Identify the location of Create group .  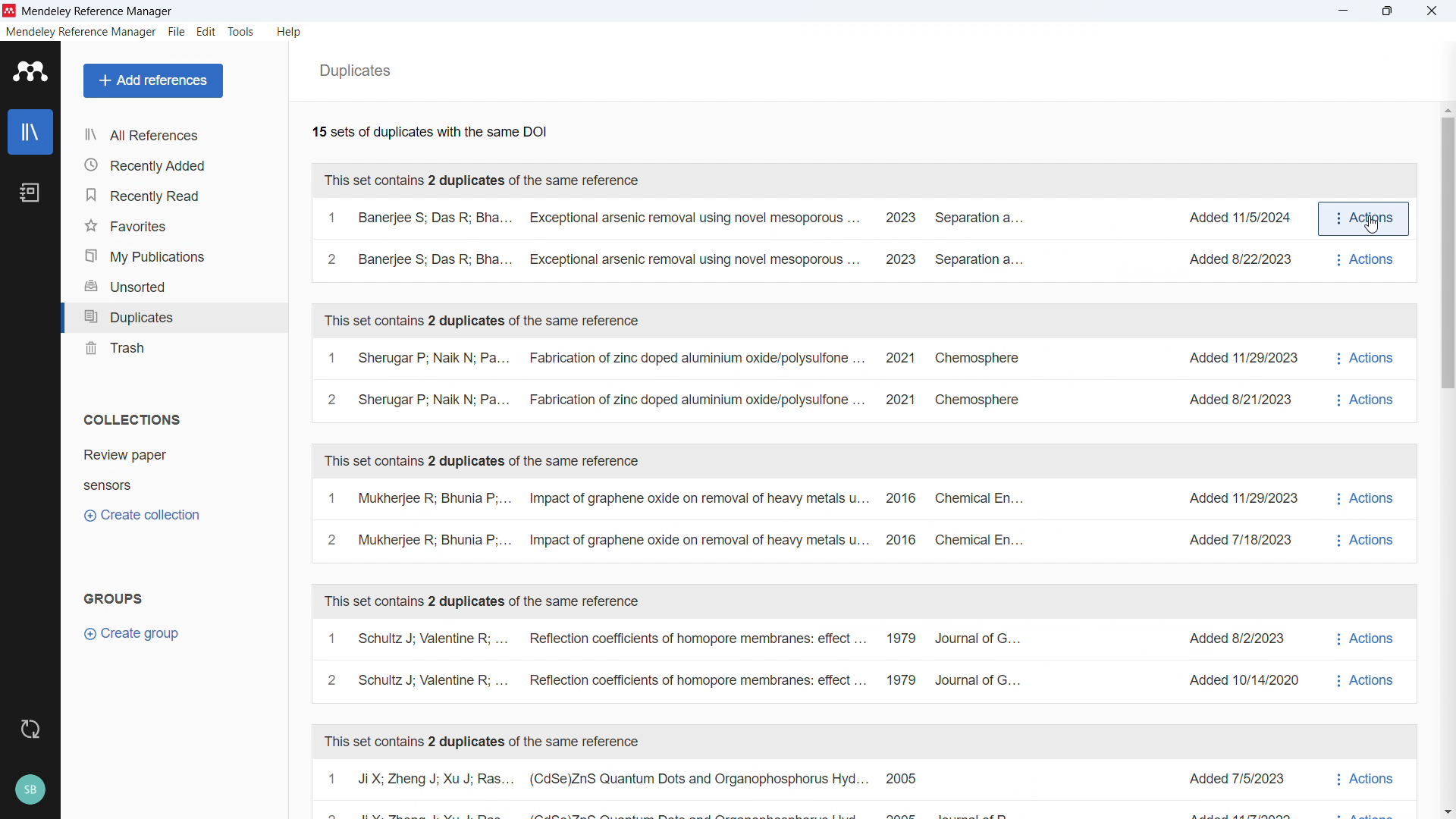
(134, 634).